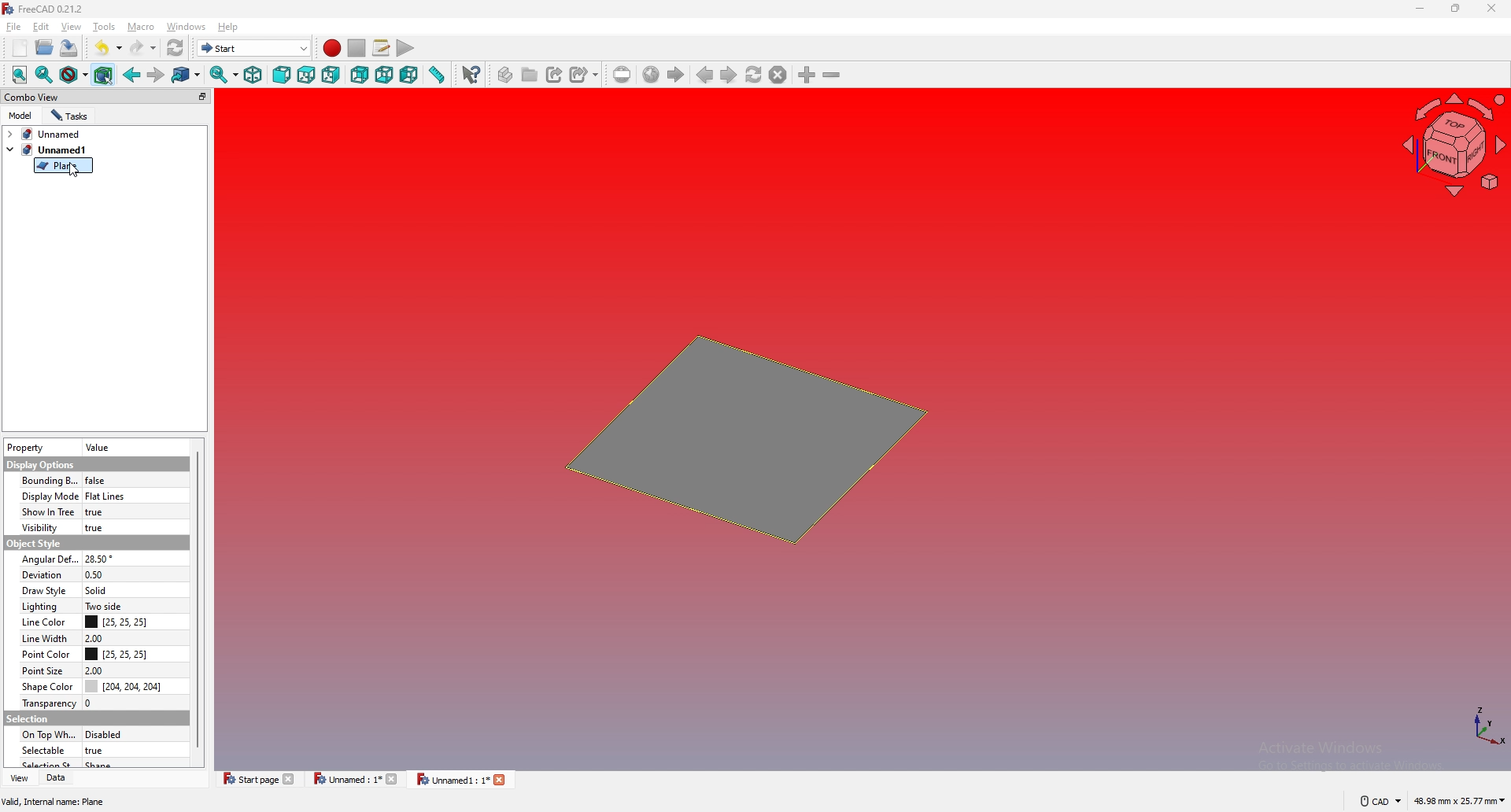 This screenshot has height=812, width=1511. Describe the element at coordinates (100, 448) in the screenshot. I see `value` at that location.